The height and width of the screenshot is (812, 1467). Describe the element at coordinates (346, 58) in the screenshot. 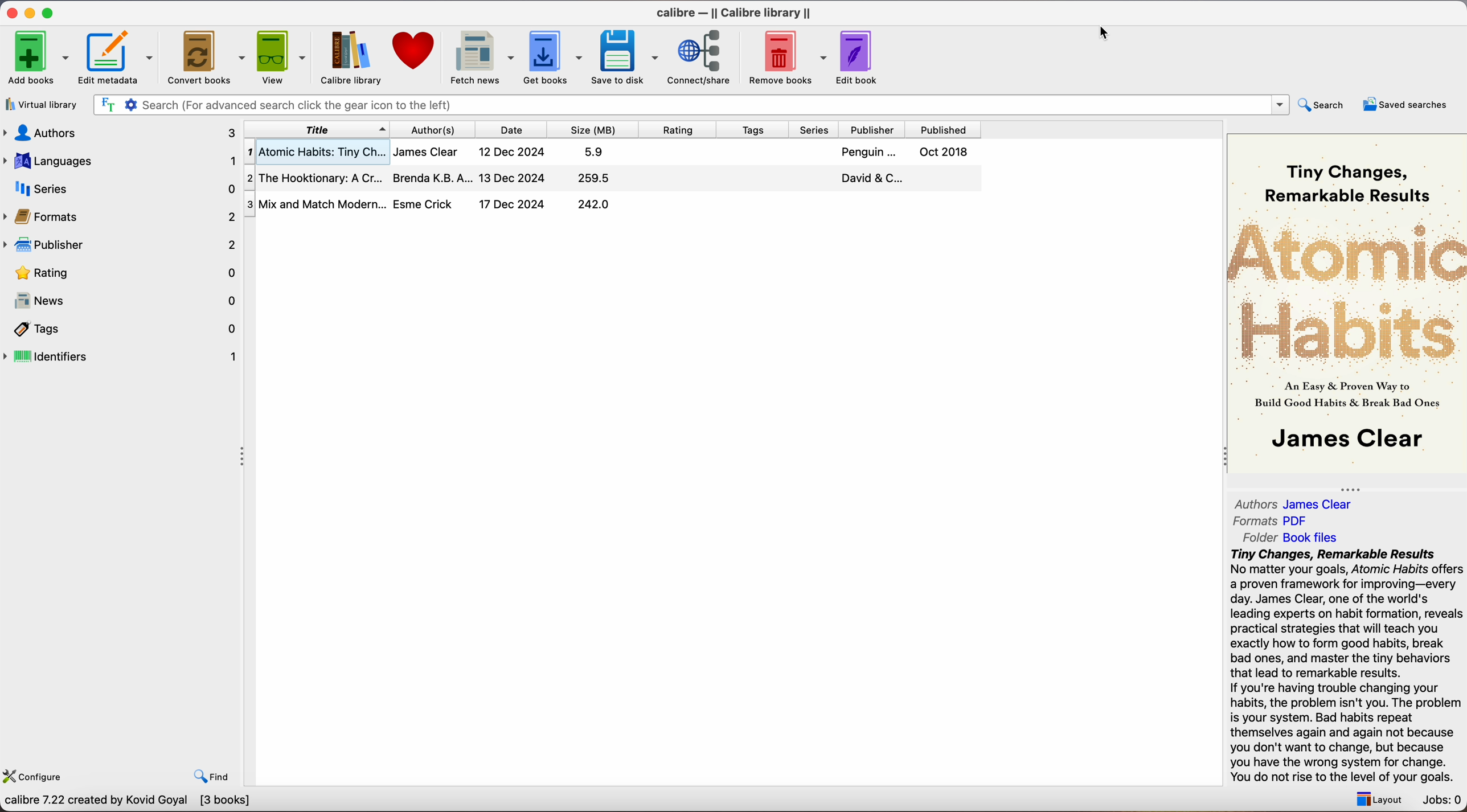

I see `calibre library` at that location.